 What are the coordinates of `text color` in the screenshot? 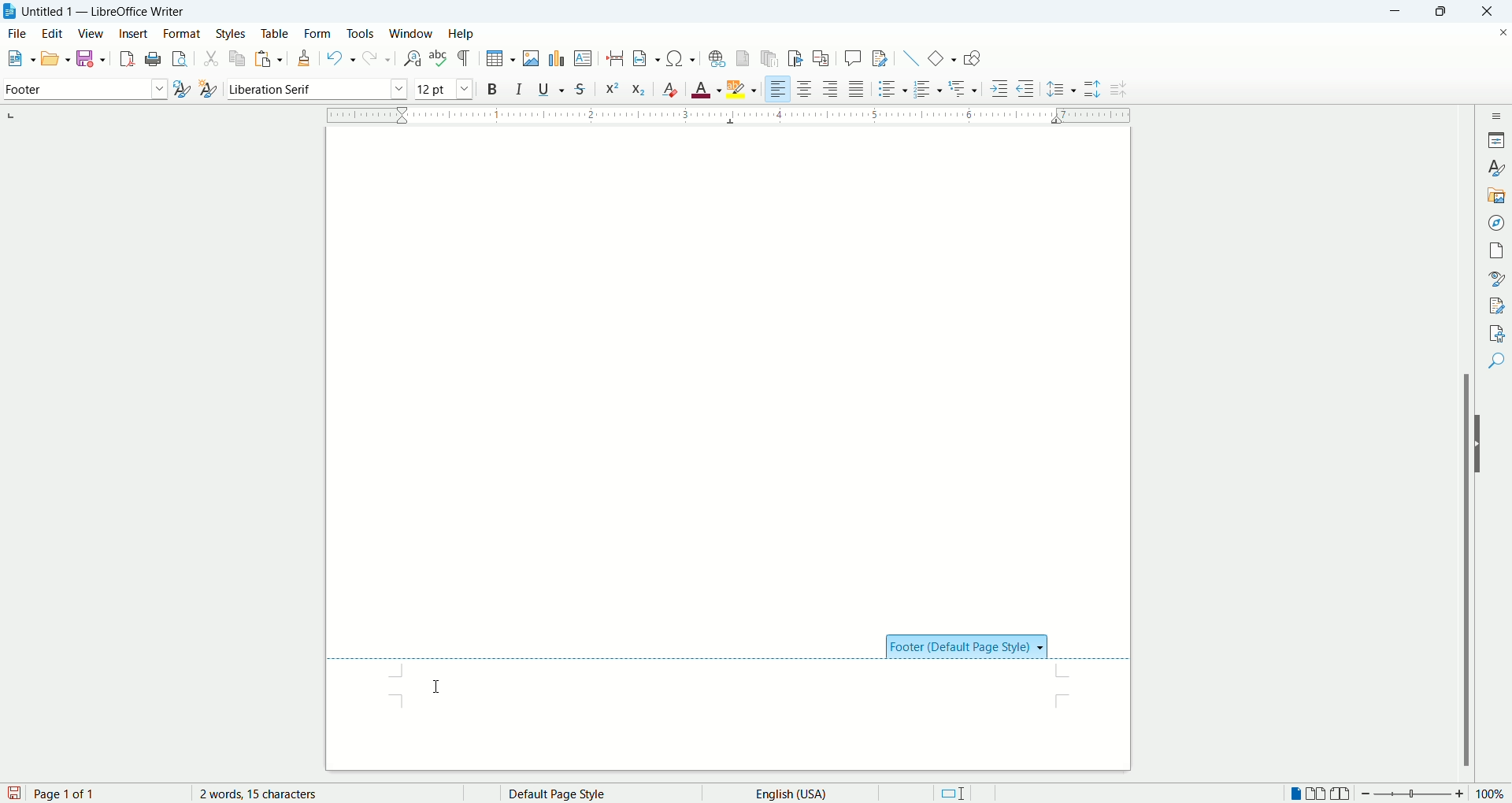 It's located at (708, 89).